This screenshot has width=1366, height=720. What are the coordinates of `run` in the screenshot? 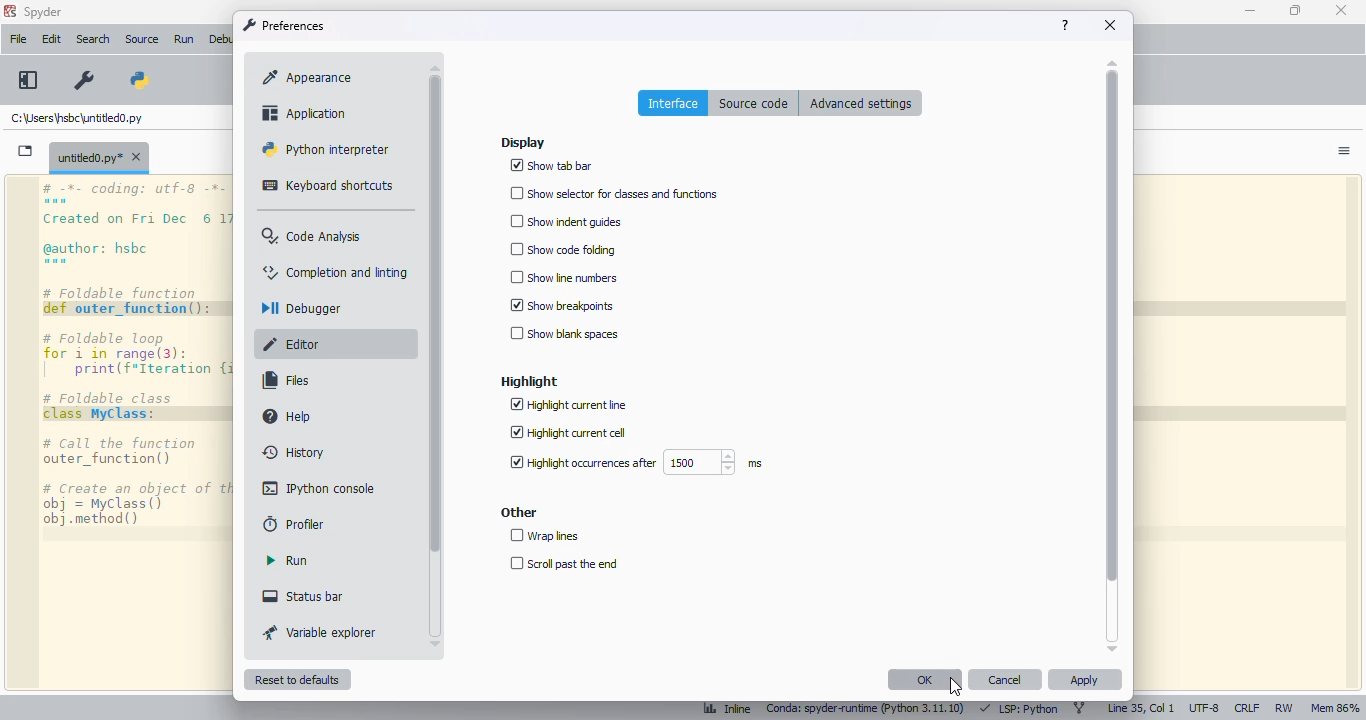 It's located at (186, 41).